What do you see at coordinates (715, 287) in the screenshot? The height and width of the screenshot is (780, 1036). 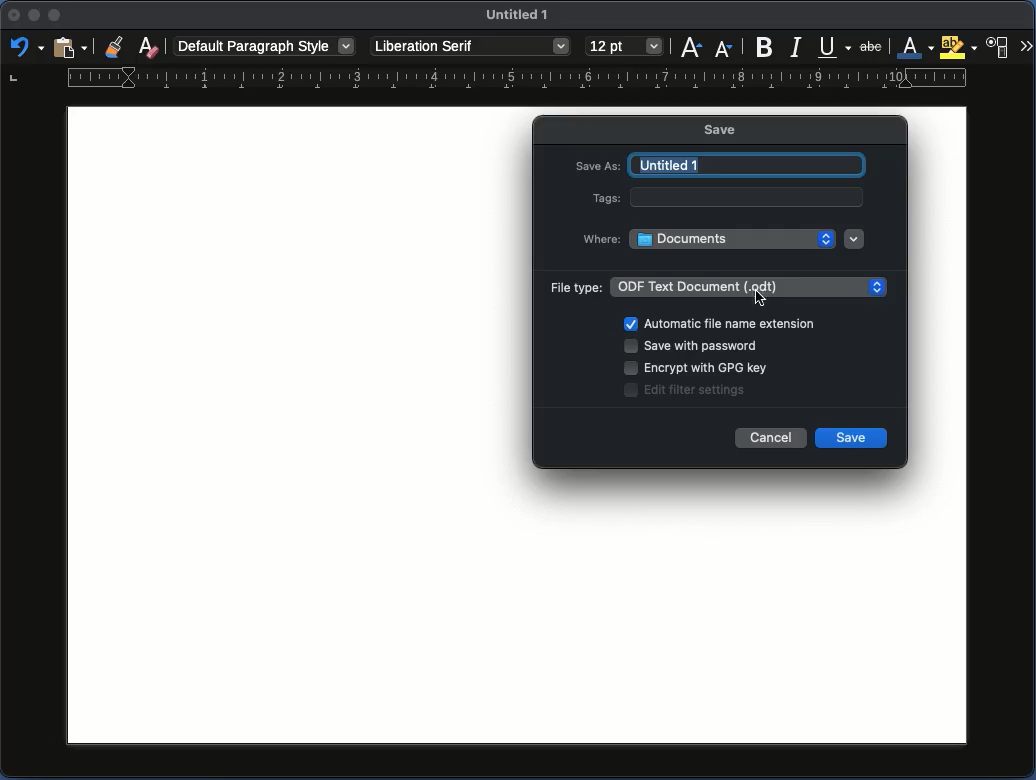 I see `File type` at bounding box center [715, 287].